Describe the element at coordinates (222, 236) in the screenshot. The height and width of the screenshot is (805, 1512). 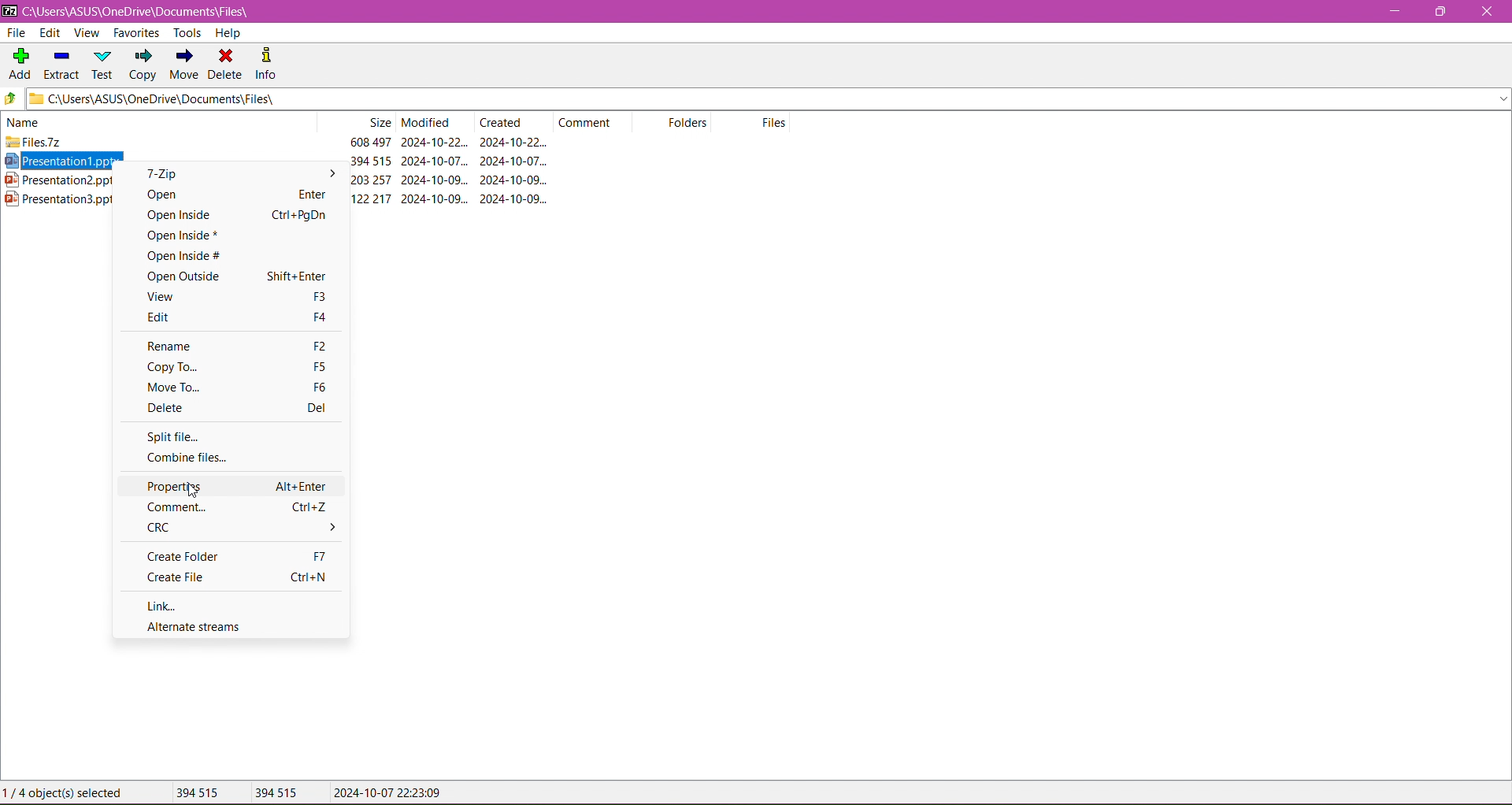
I see `Open Inside*` at that location.